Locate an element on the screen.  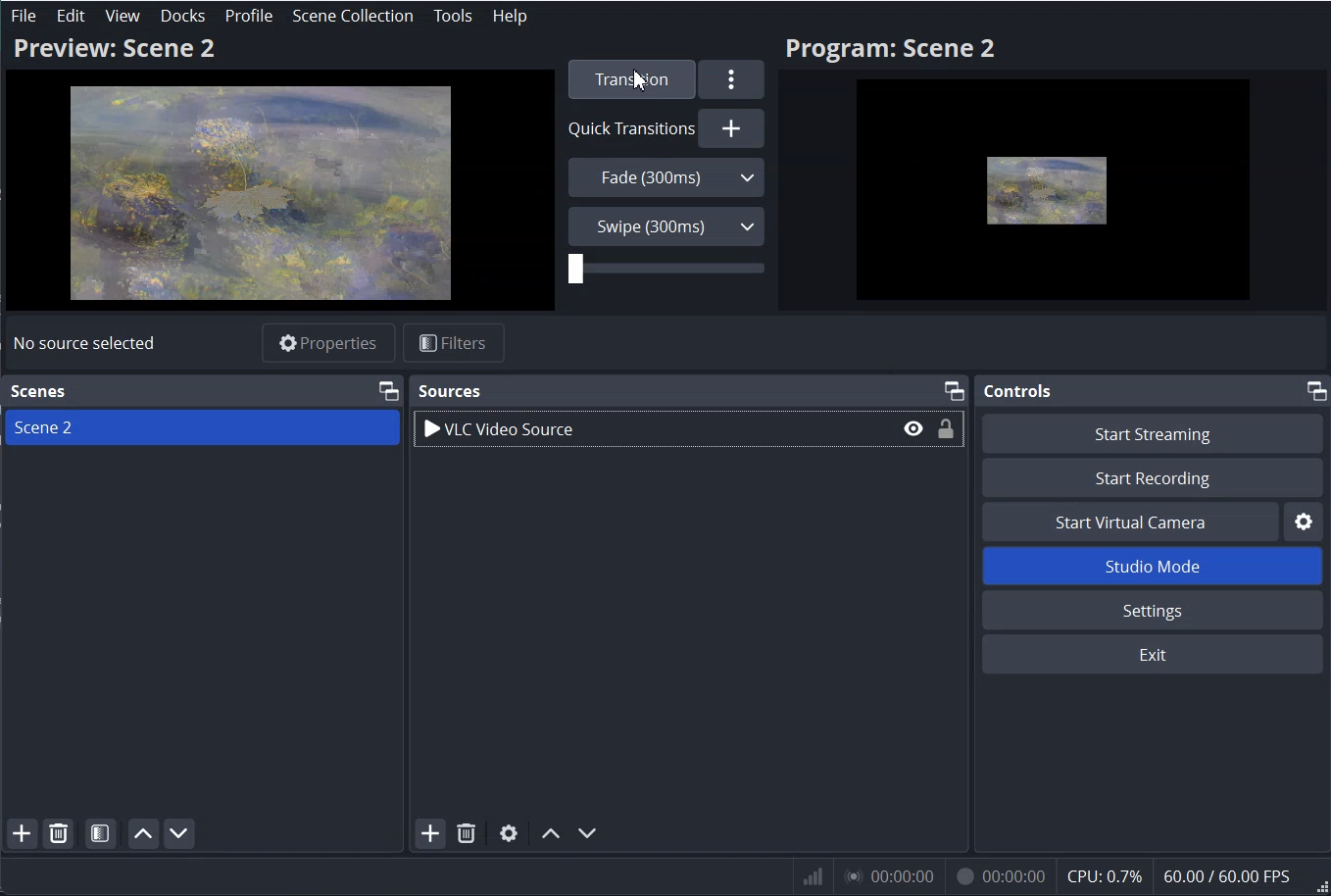
Remove Selected Scene is located at coordinates (58, 832).